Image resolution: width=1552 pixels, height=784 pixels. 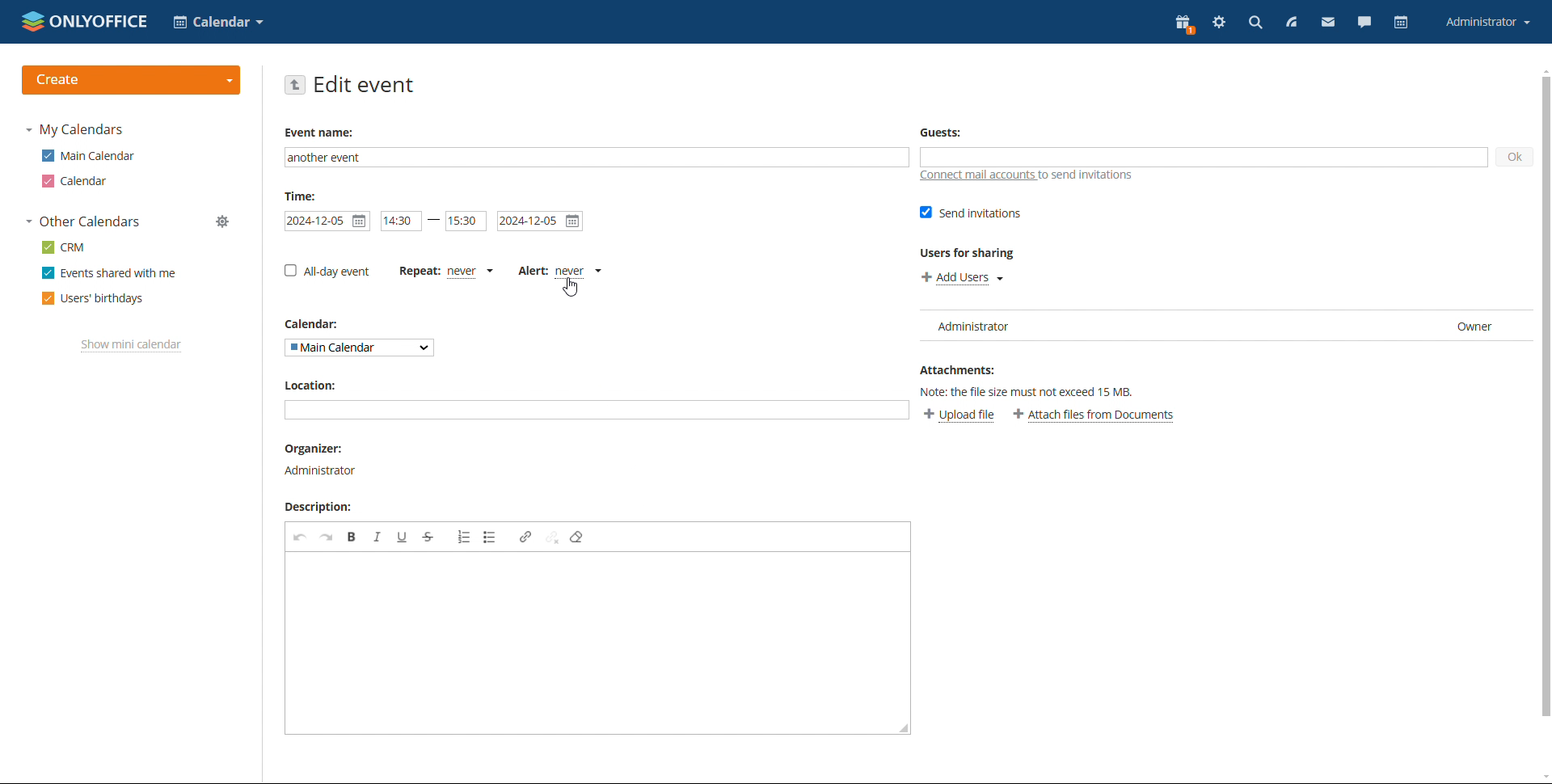 I want to click on bold, so click(x=352, y=537).